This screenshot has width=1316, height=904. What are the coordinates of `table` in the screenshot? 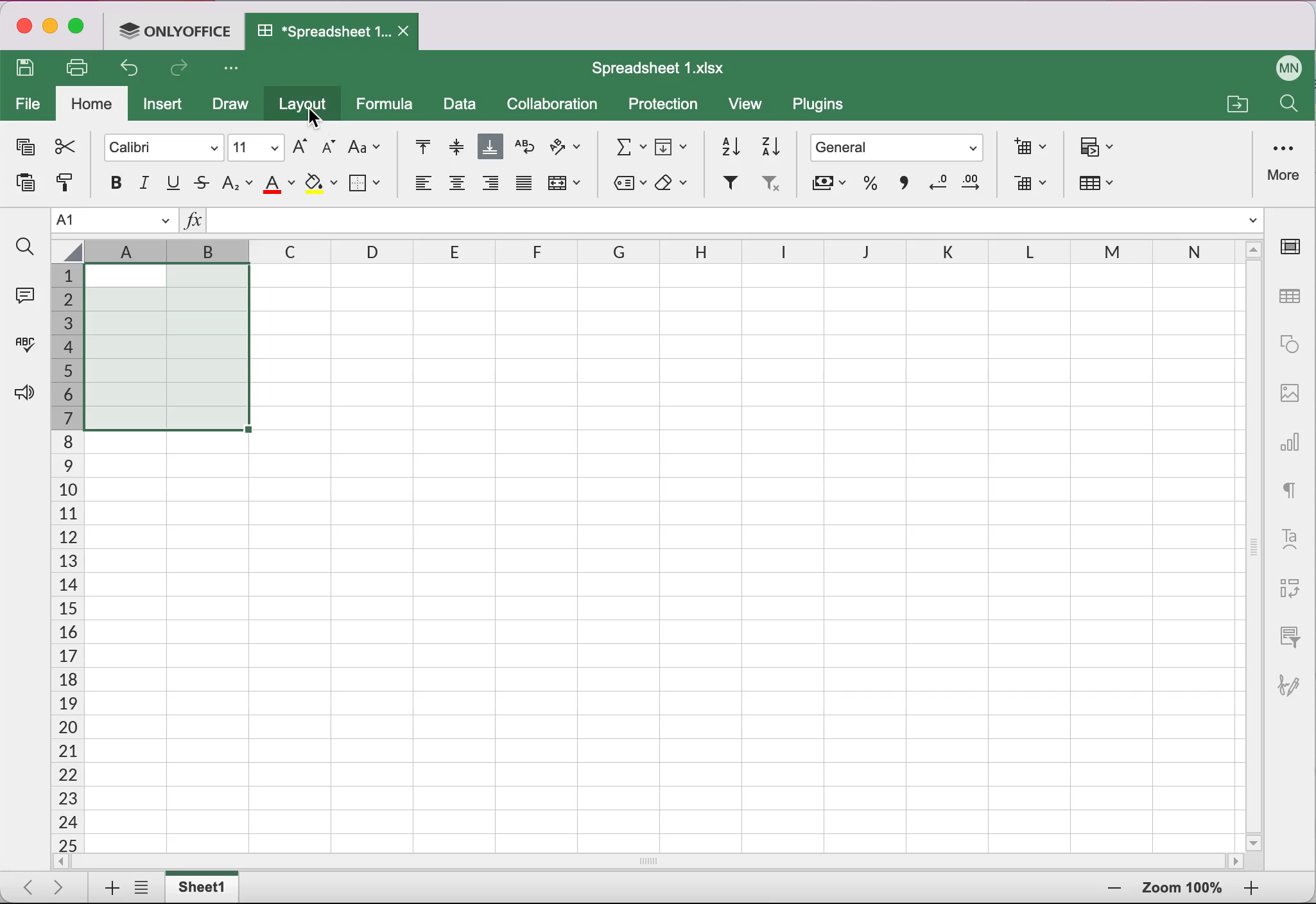 It's located at (1292, 297).